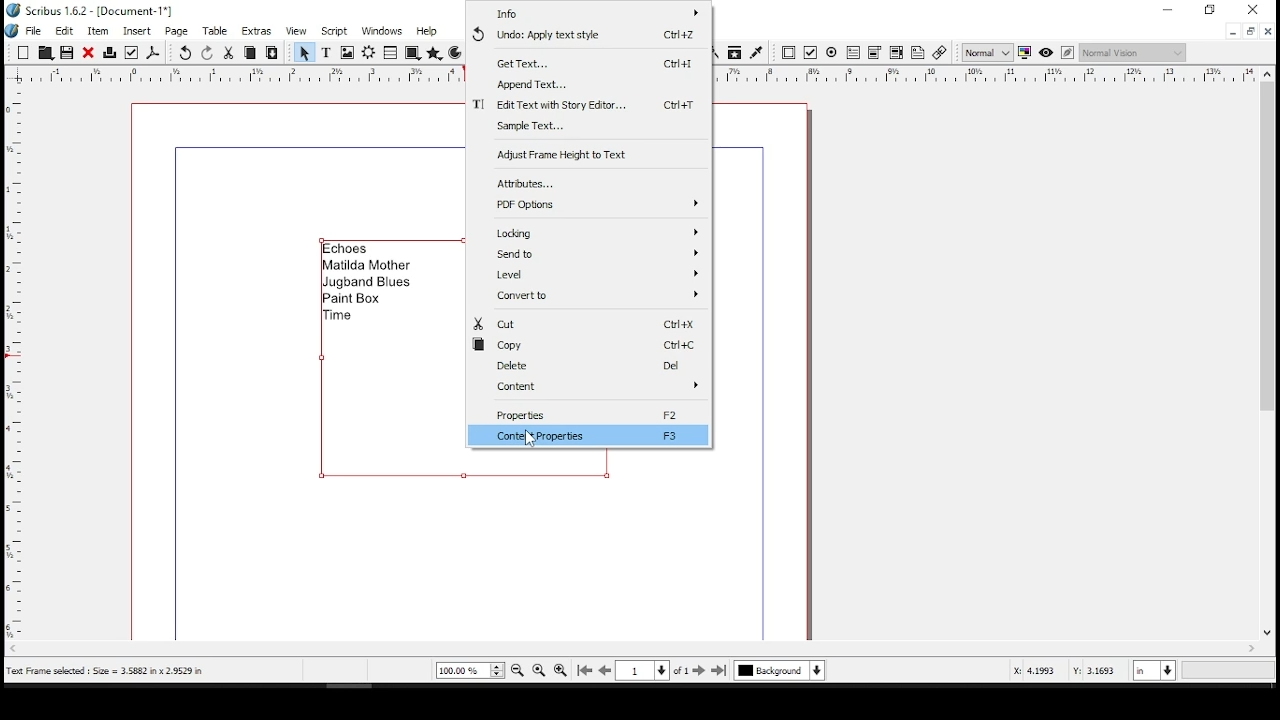 Image resolution: width=1280 pixels, height=720 pixels. What do you see at coordinates (12, 32) in the screenshot?
I see `logo` at bounding box center [12, 32].